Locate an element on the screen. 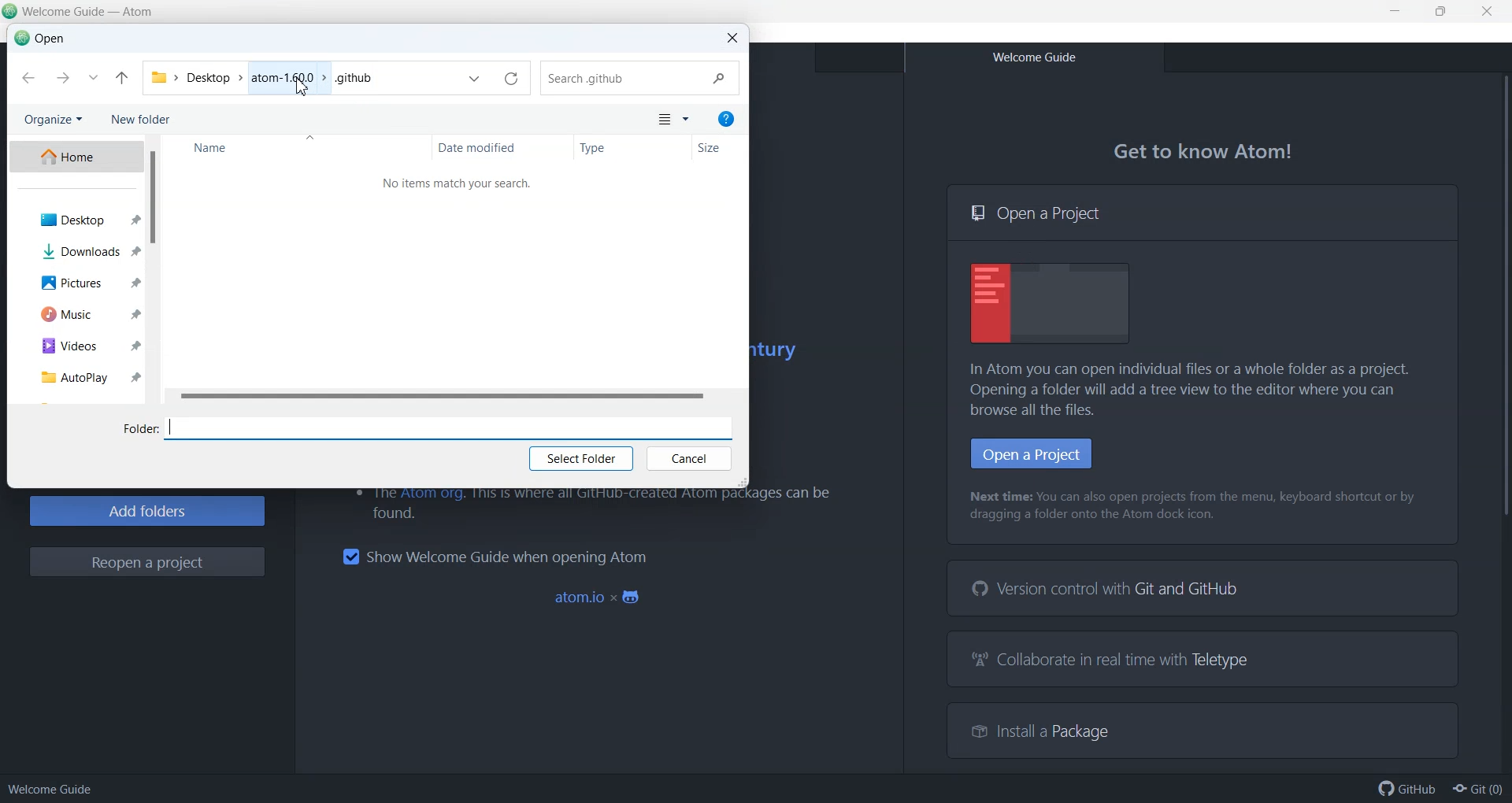 The width and height of the screenshot is (1512, 803). Select Folder is located at coordinates (580, 460).